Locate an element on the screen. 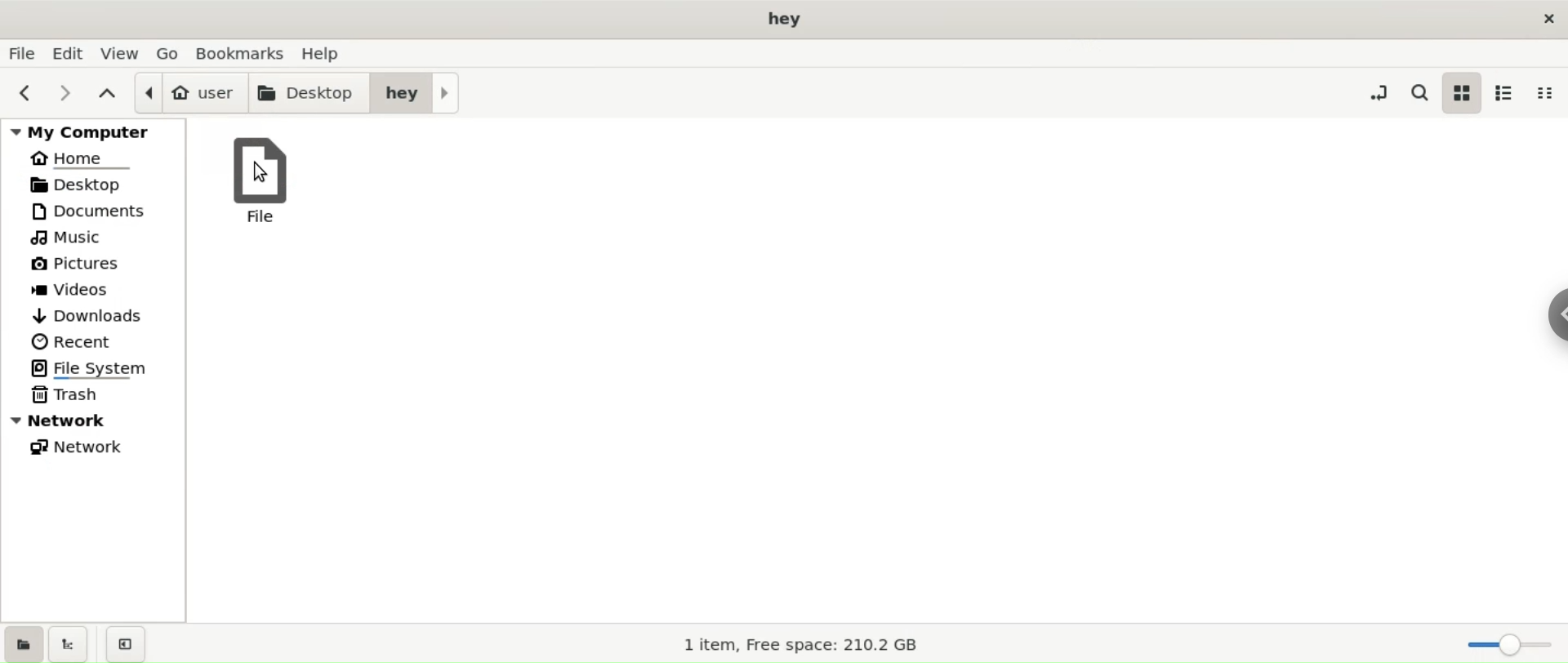 The width and height of the screenshot is (1568, 663). next is located at coordinates (69, 92).